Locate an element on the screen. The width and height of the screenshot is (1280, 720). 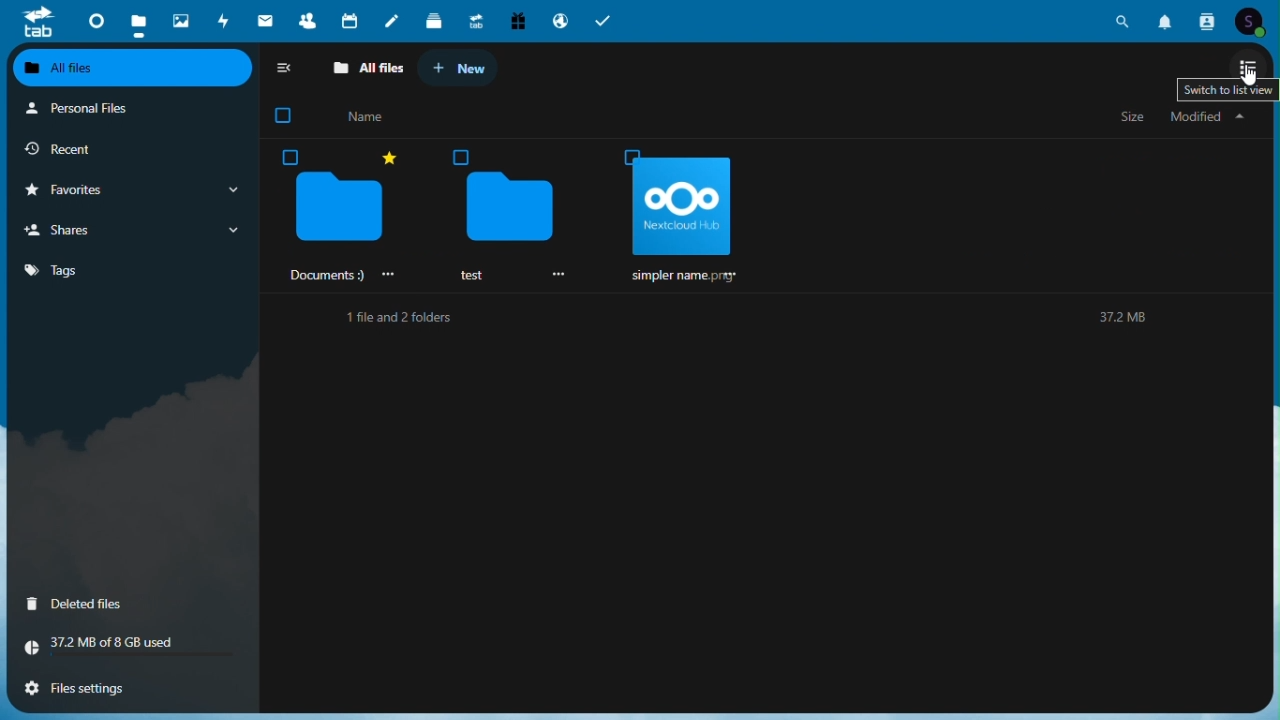
My file is located at coordinates (1207, 120).